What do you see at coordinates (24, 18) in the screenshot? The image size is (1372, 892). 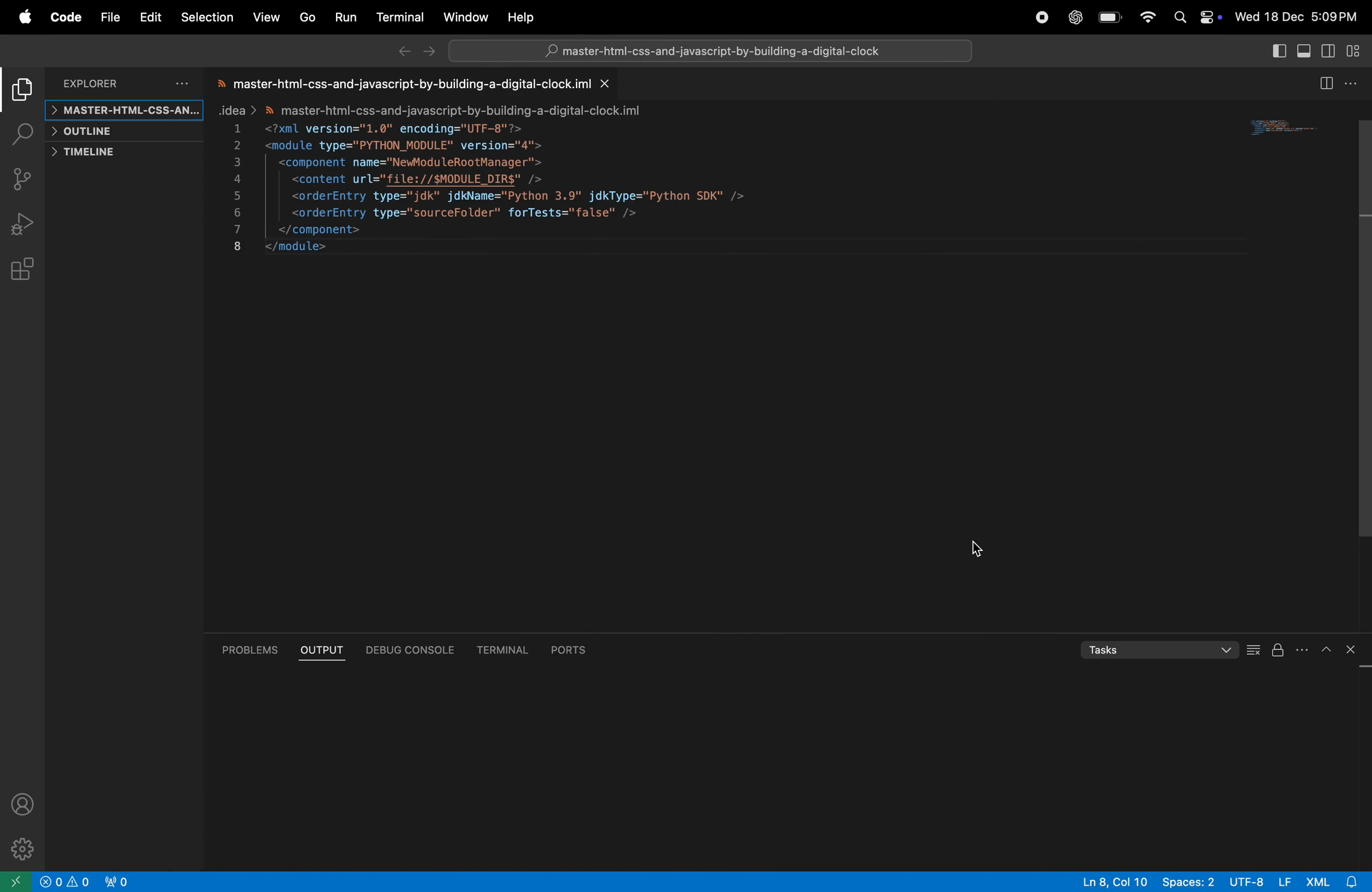 I see `apple menu` at bounding box center [24, 18].